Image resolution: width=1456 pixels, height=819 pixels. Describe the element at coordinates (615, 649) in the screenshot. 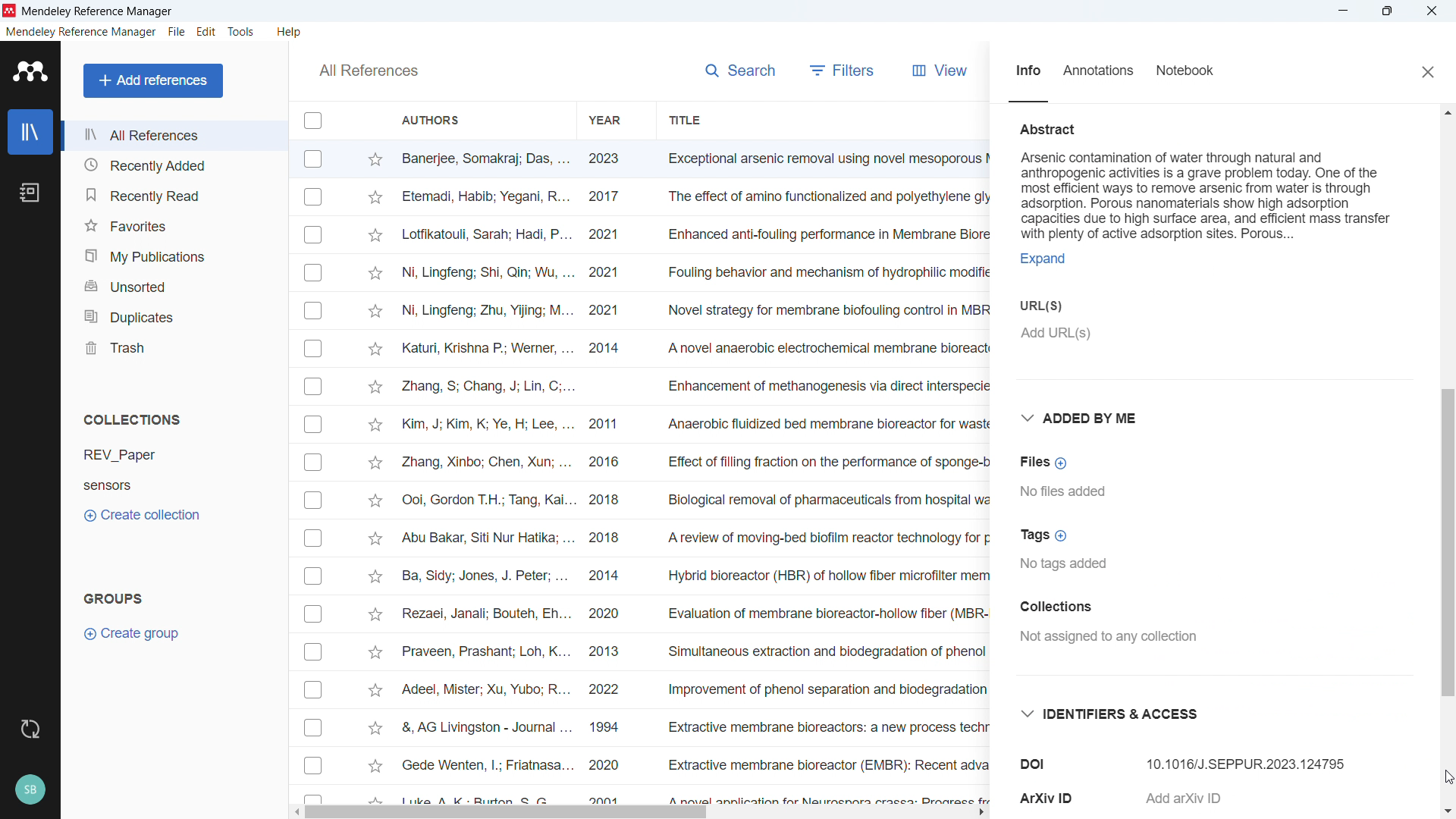

I see `2013` at that location.